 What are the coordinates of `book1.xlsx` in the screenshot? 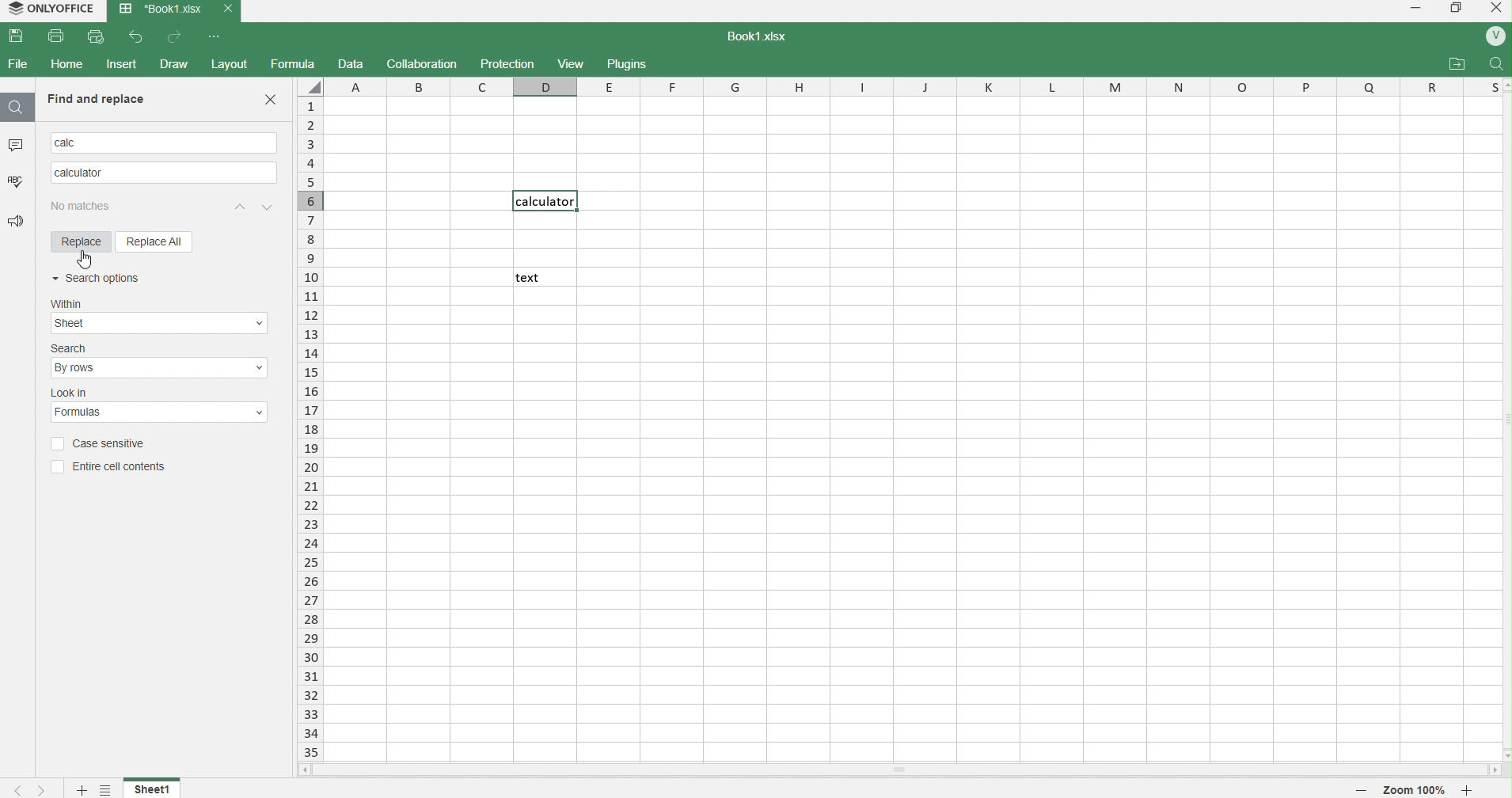 It's located at (158, 11).